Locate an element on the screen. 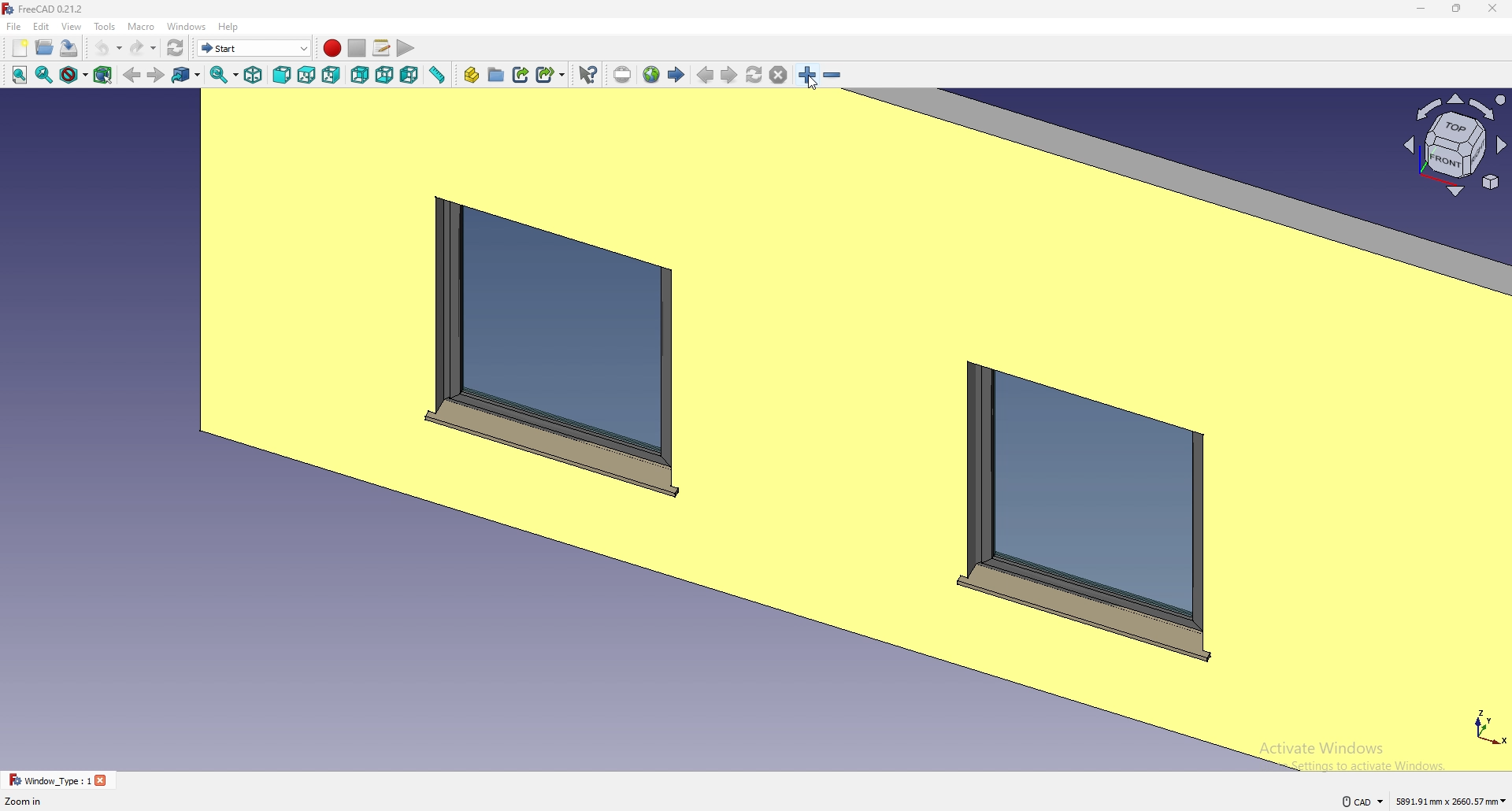  new is located at coordinates (20, 48).